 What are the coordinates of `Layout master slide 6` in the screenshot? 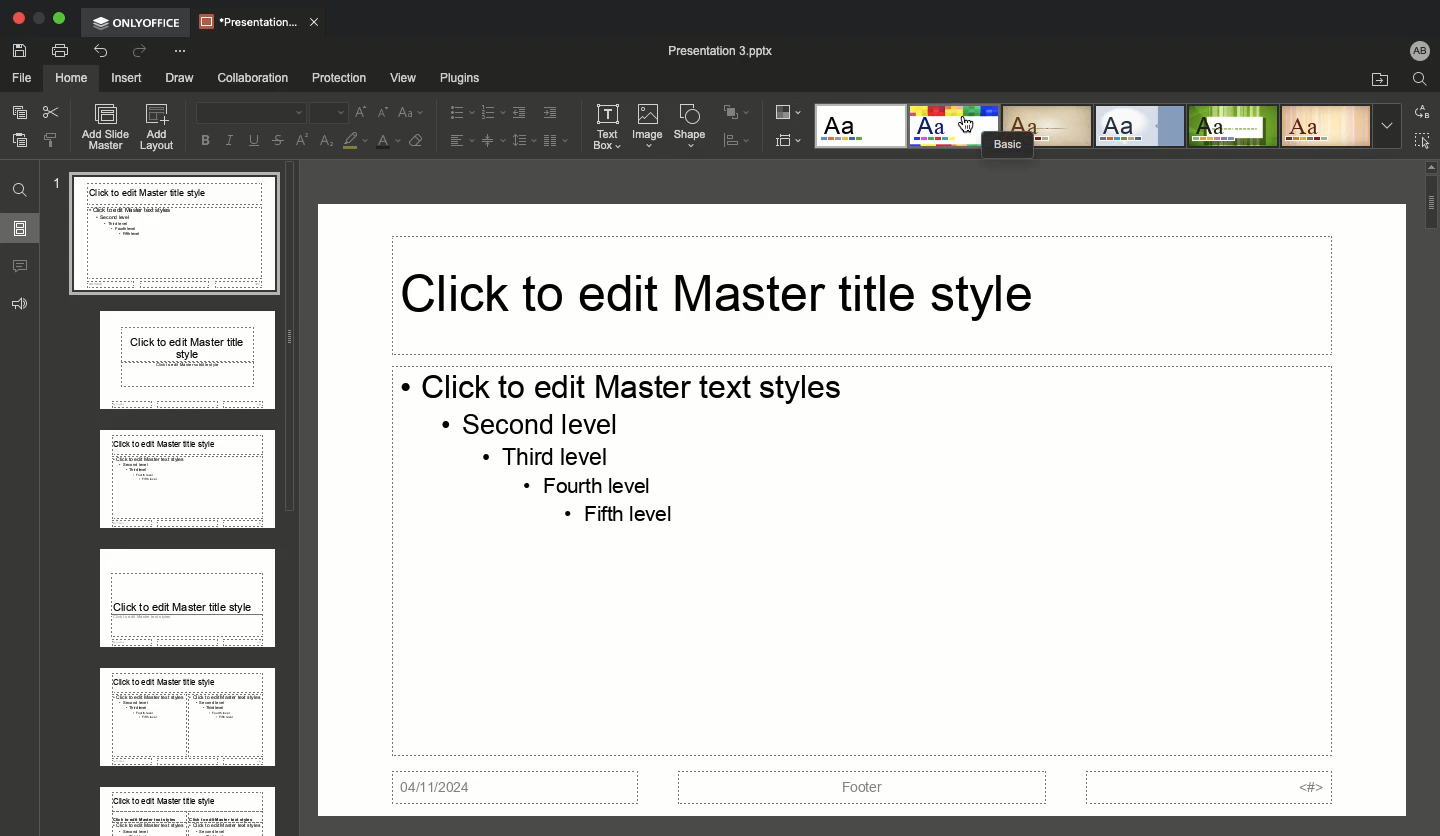 It's located at (185, 807).